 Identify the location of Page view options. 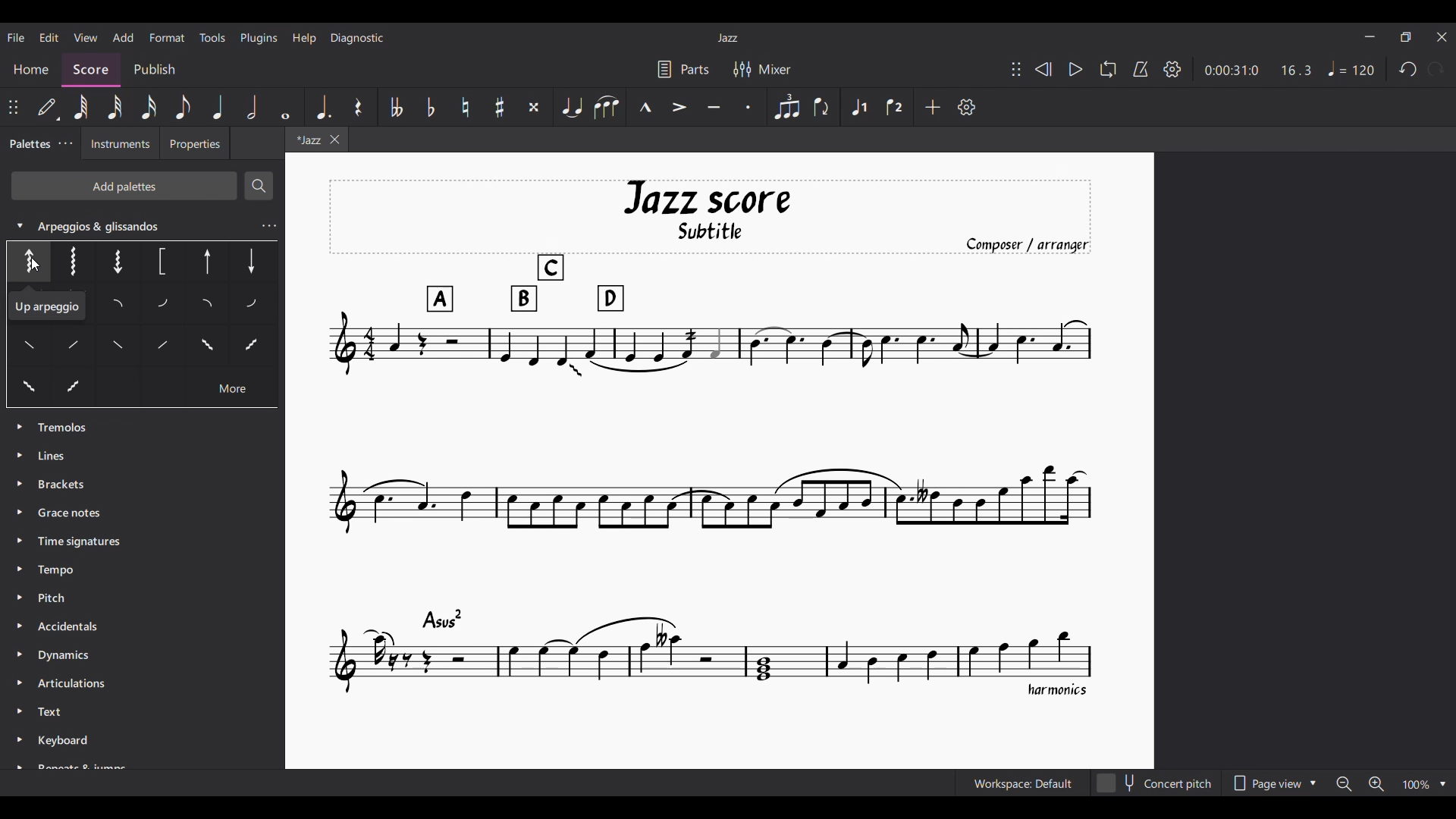
(1276, 783).